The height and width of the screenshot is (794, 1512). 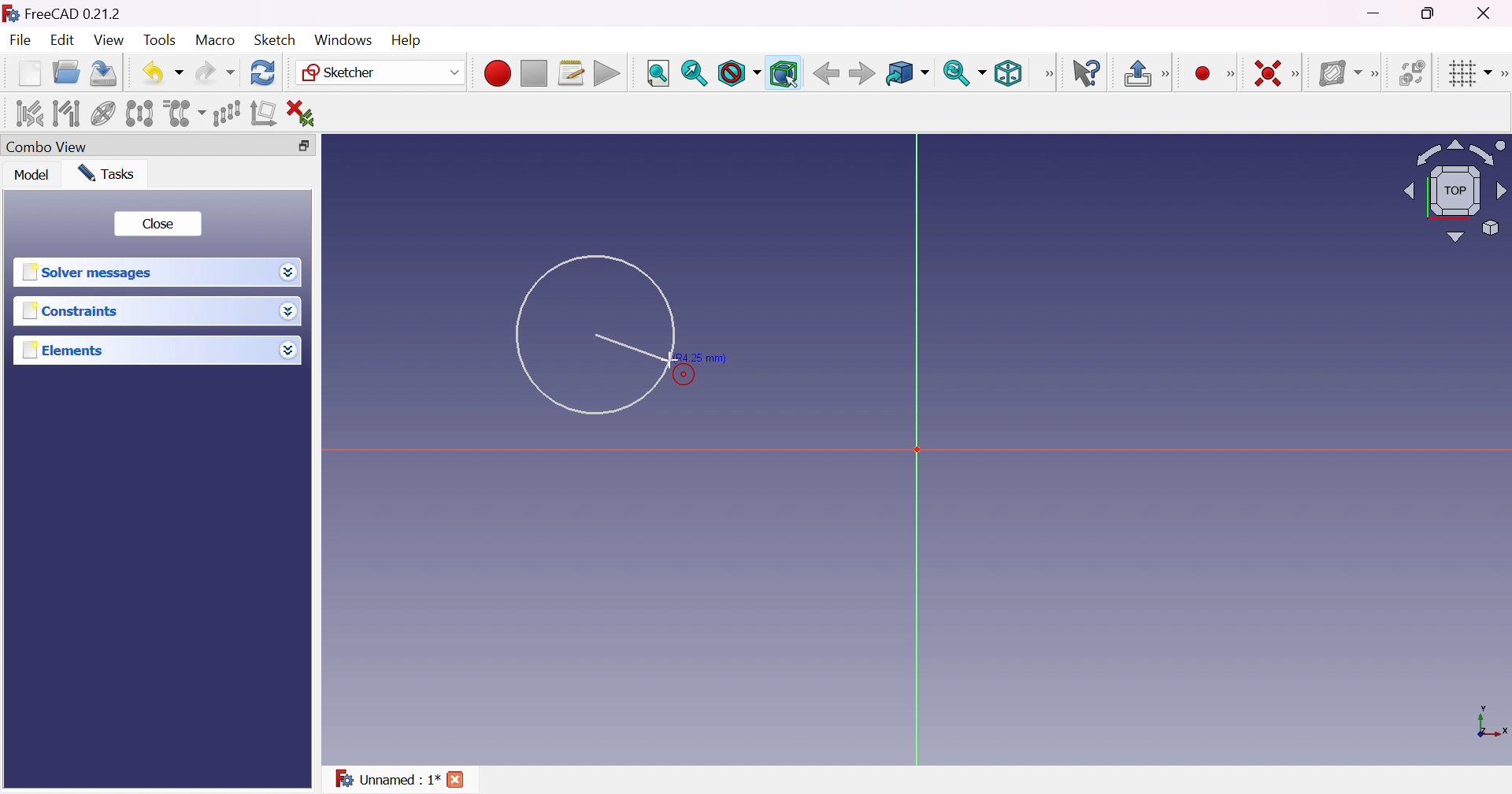 I want to click on Combo view, so click(x=48, y=145).